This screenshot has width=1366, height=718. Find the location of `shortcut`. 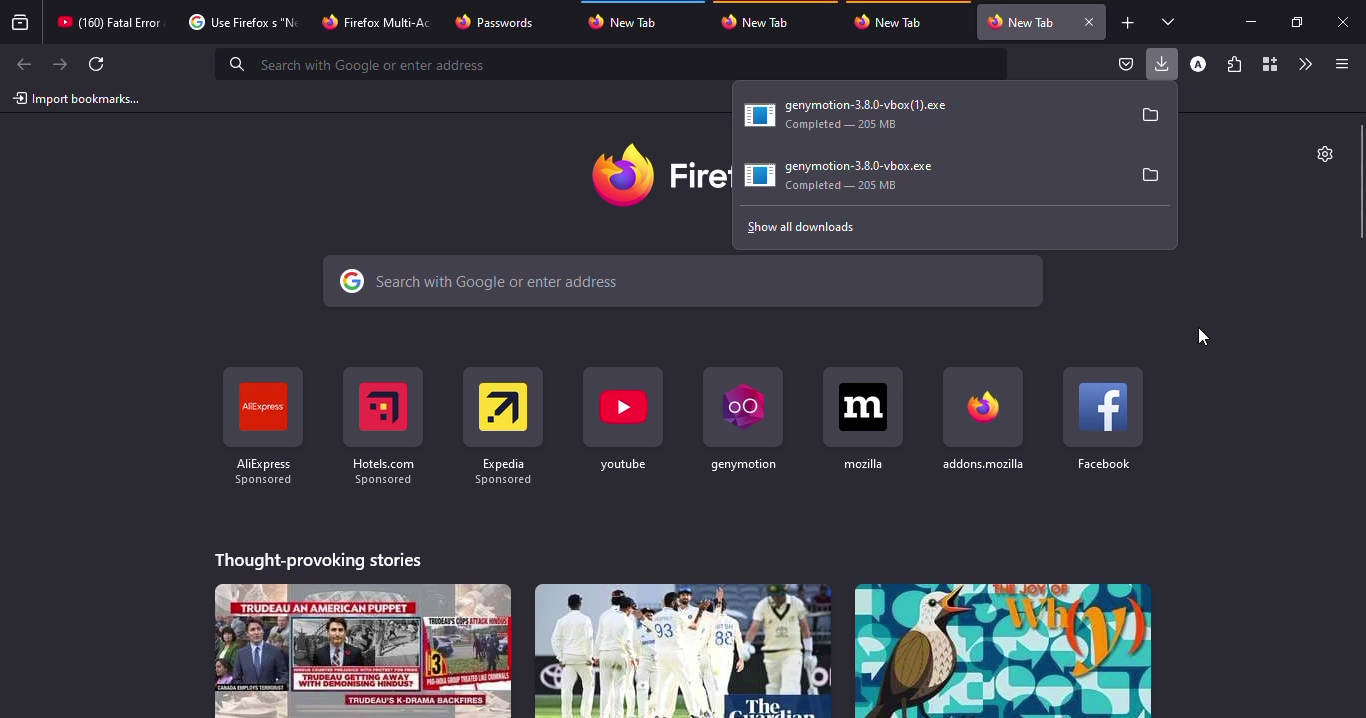

shortcut is located at coordinates (504, 426).